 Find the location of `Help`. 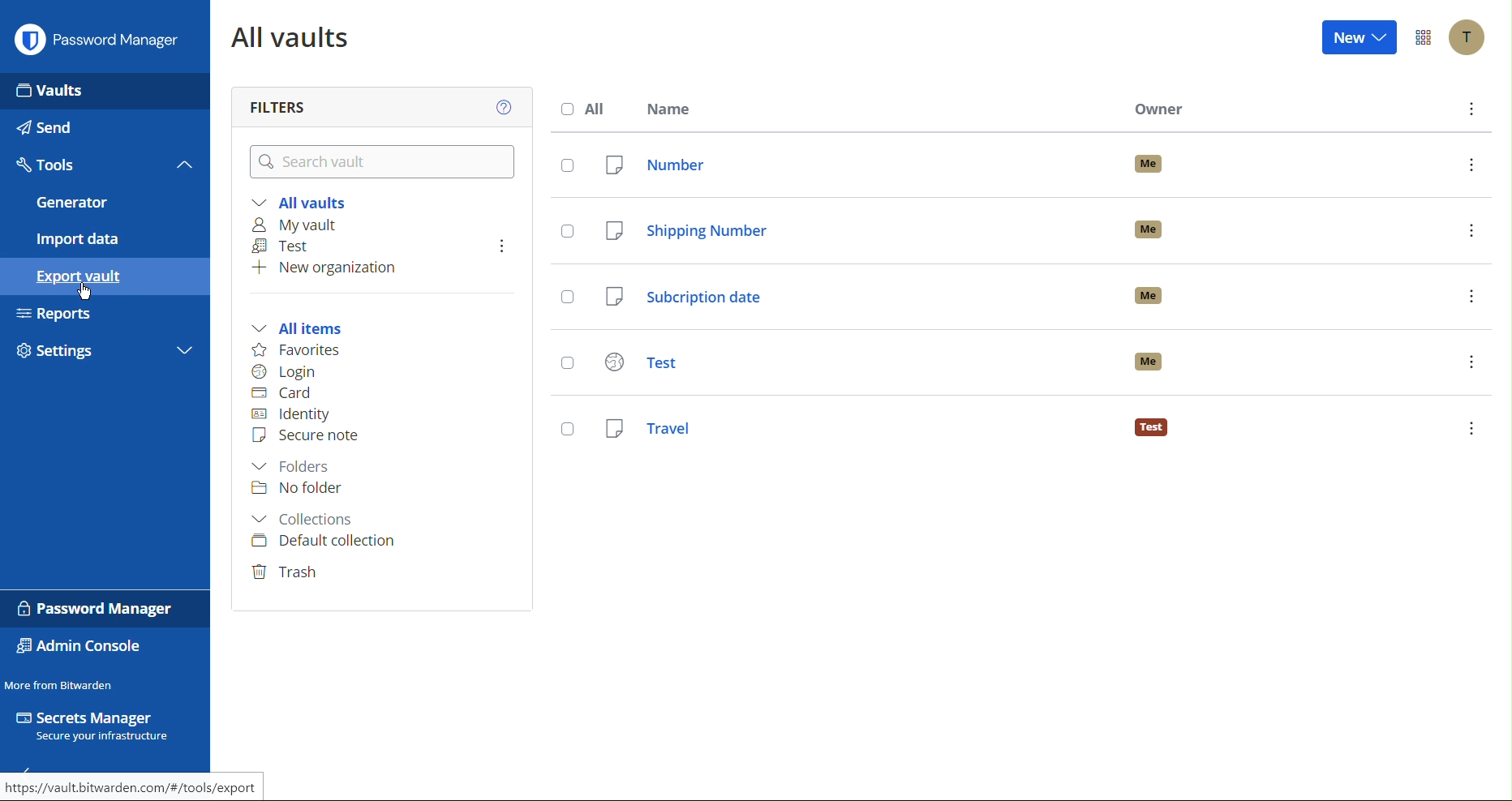

Help is located at coordinates (501, 107).